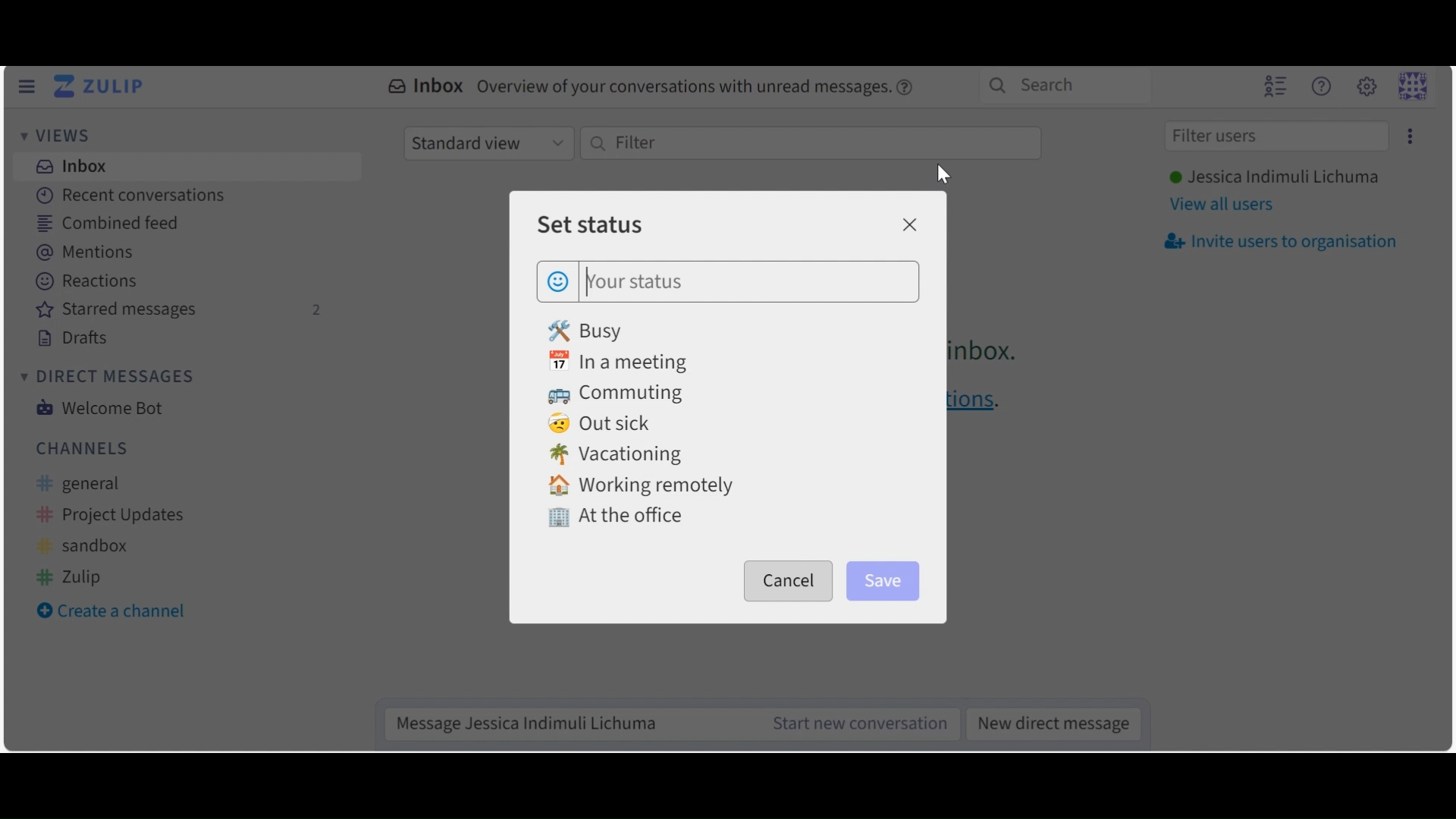  Describe the element at coordinates (749, 281) in the screenshot. I see `Enter your status` at that location.